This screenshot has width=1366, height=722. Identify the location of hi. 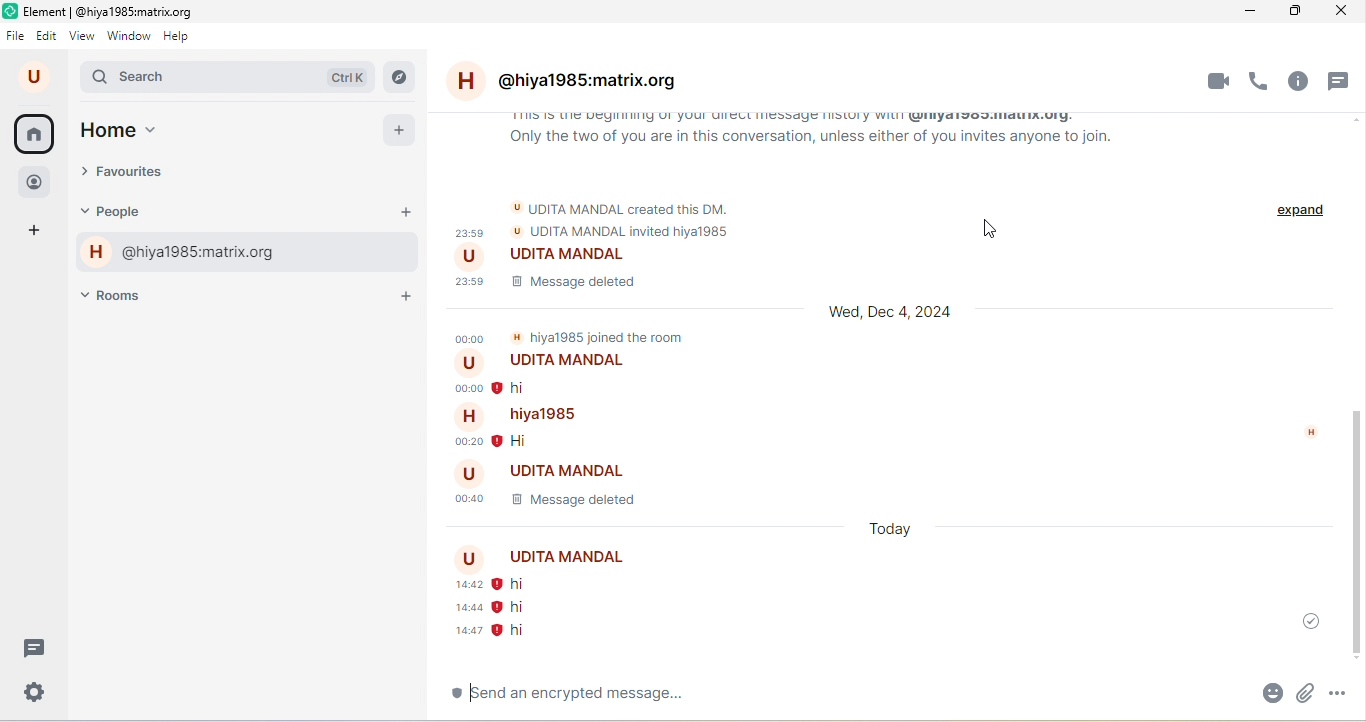
(531, 440).